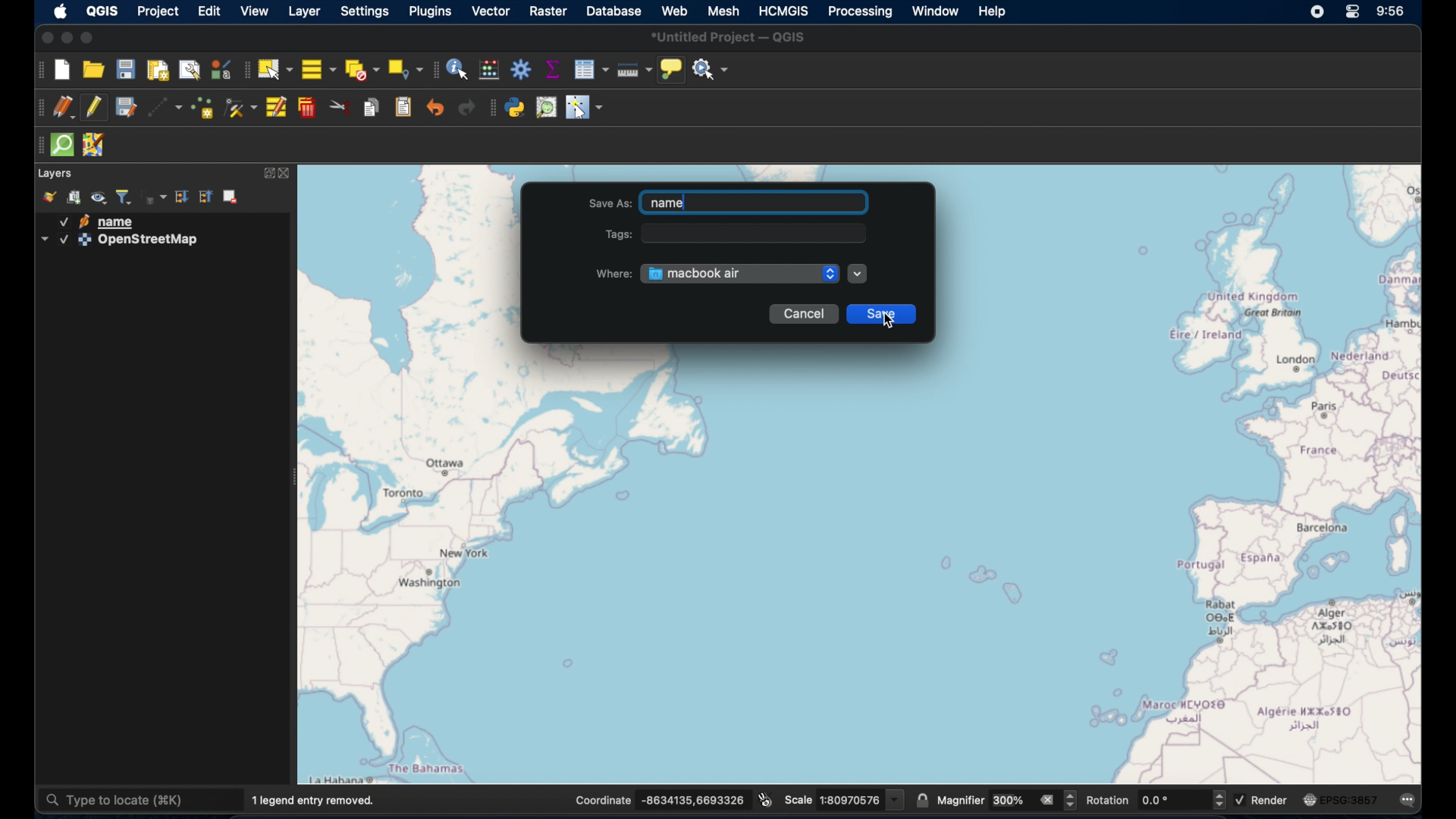  What do you see at coordinates (405, 70) in the screenshot?
I see `select by location` at bounding box center [405, 70].